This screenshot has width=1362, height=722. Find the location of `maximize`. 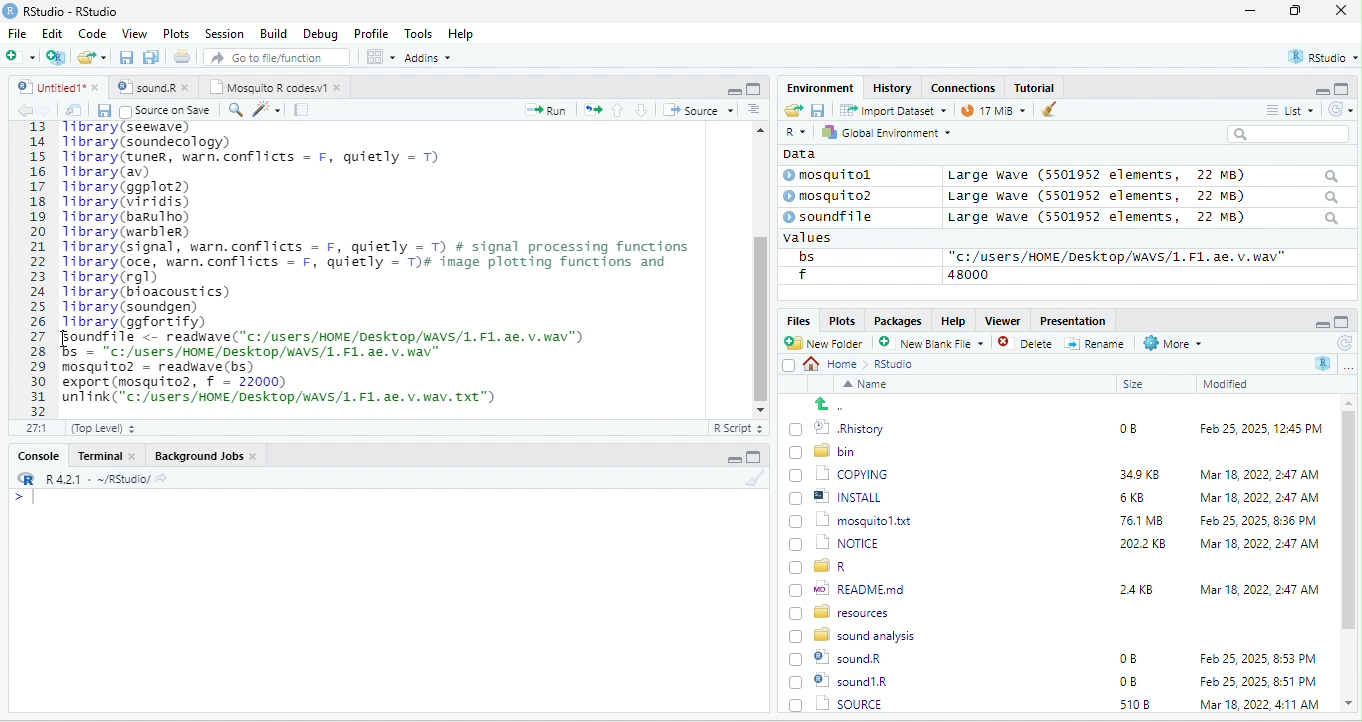

maximize is located at coordinates (753, 457).